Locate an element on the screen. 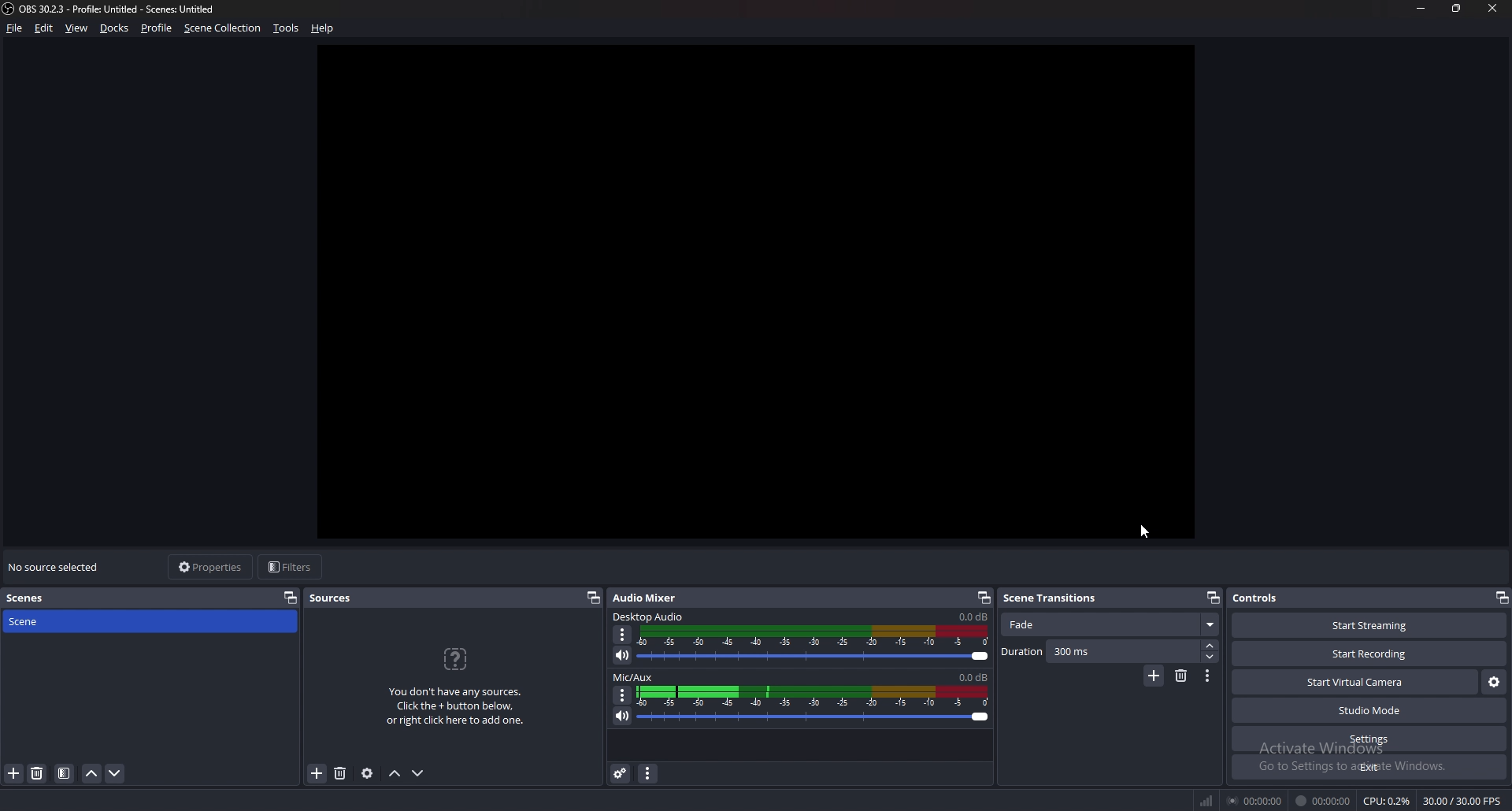 This screenshot has width=1512, height=811. start virtual camera is located at coordinates (1354, 683).